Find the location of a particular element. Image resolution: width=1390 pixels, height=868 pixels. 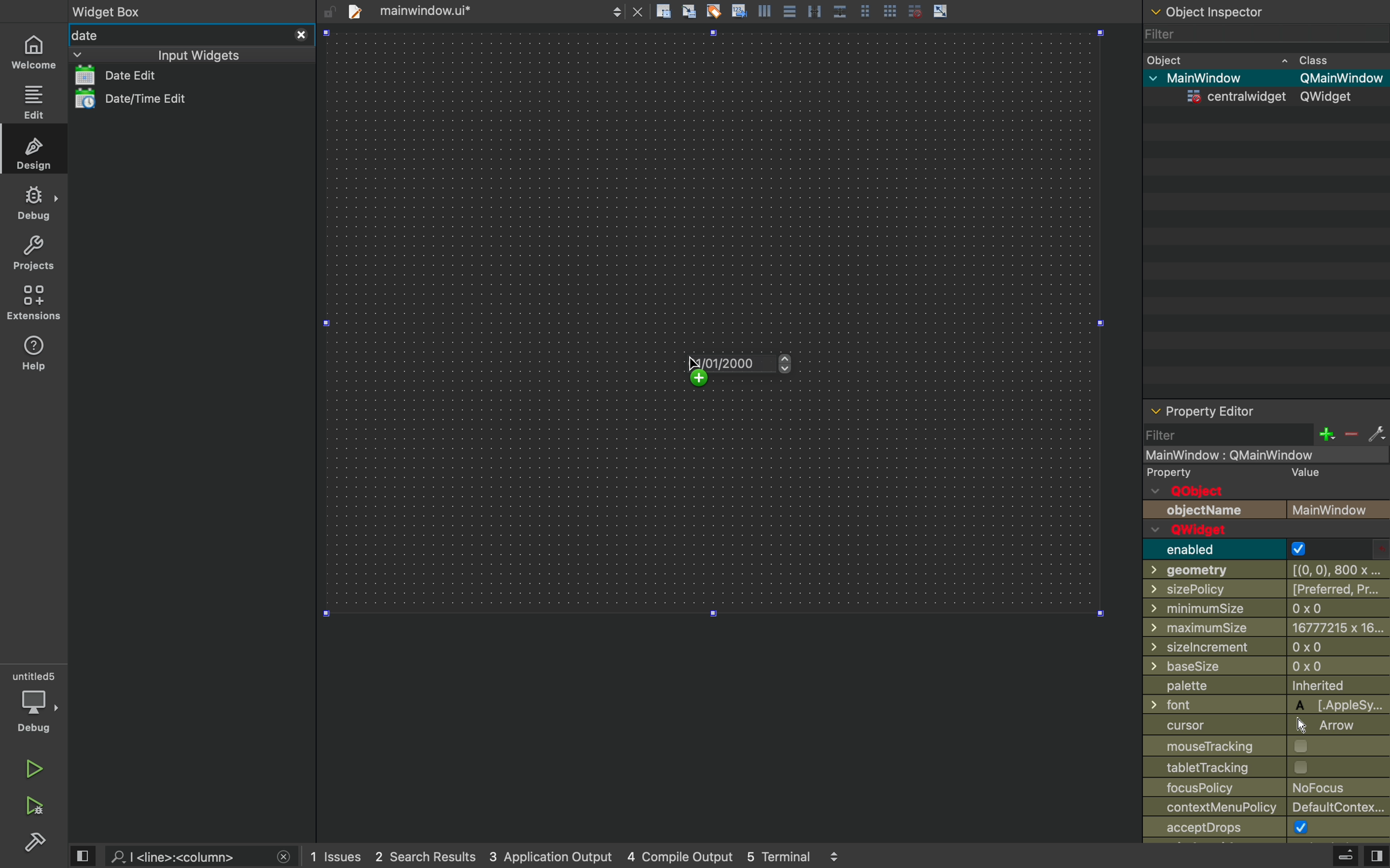

align to grid is located at coordinates (690, 11).